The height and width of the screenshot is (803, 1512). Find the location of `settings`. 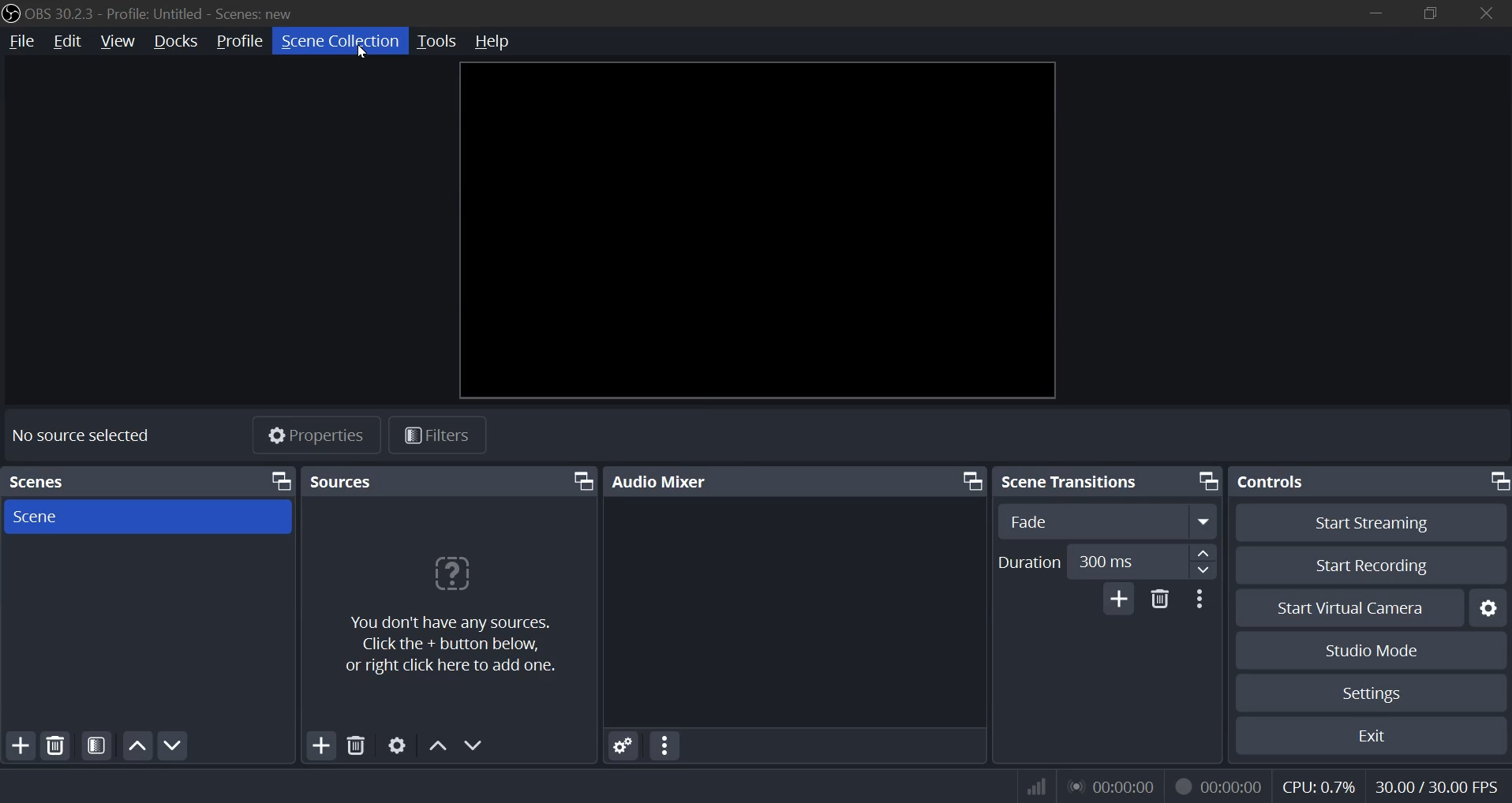

settings is located at coordinates (395, 746).